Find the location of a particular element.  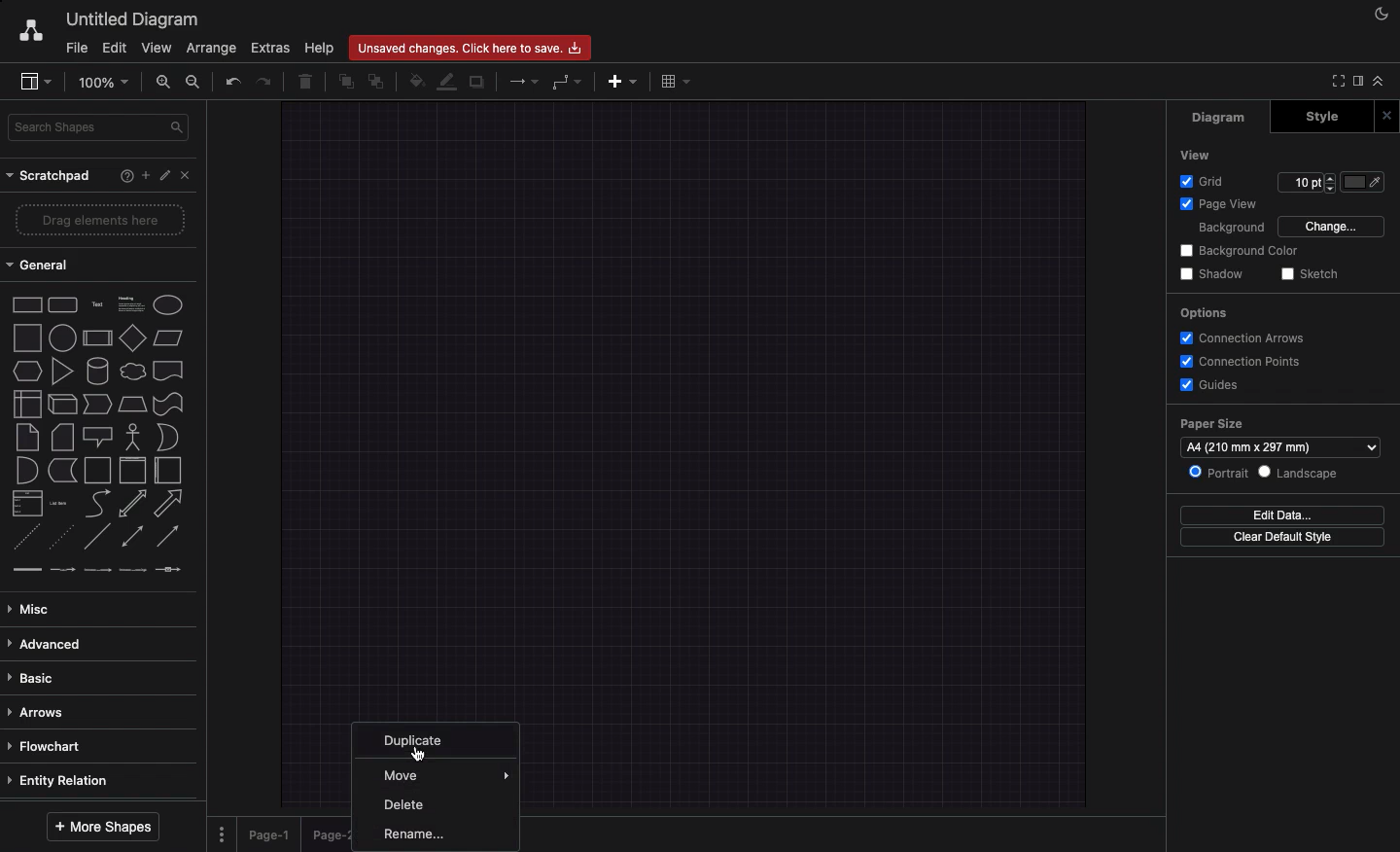

Full screen is located at coordinates (1334, 83).